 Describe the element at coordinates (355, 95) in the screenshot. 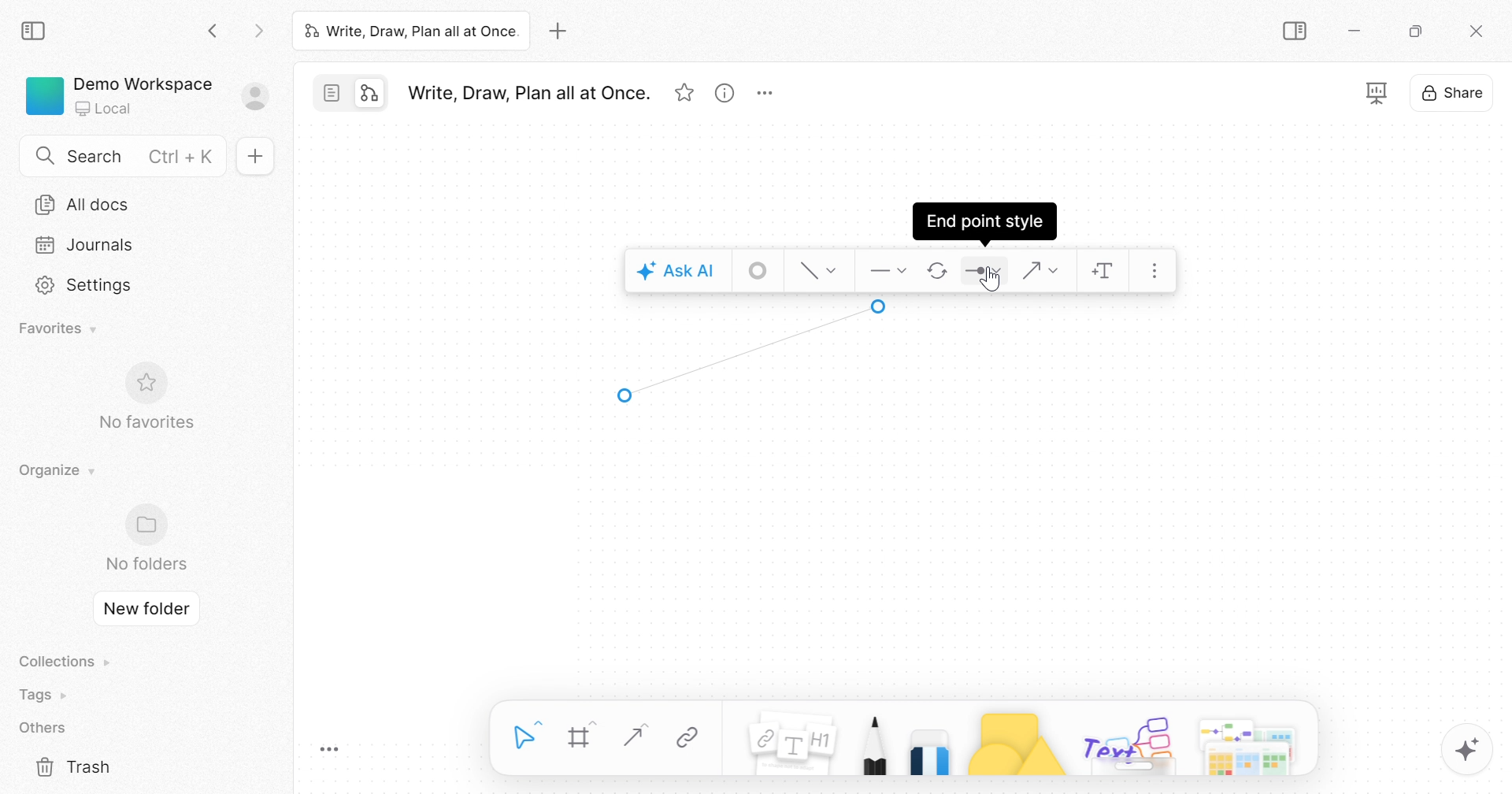

I see `Switch` at that location.